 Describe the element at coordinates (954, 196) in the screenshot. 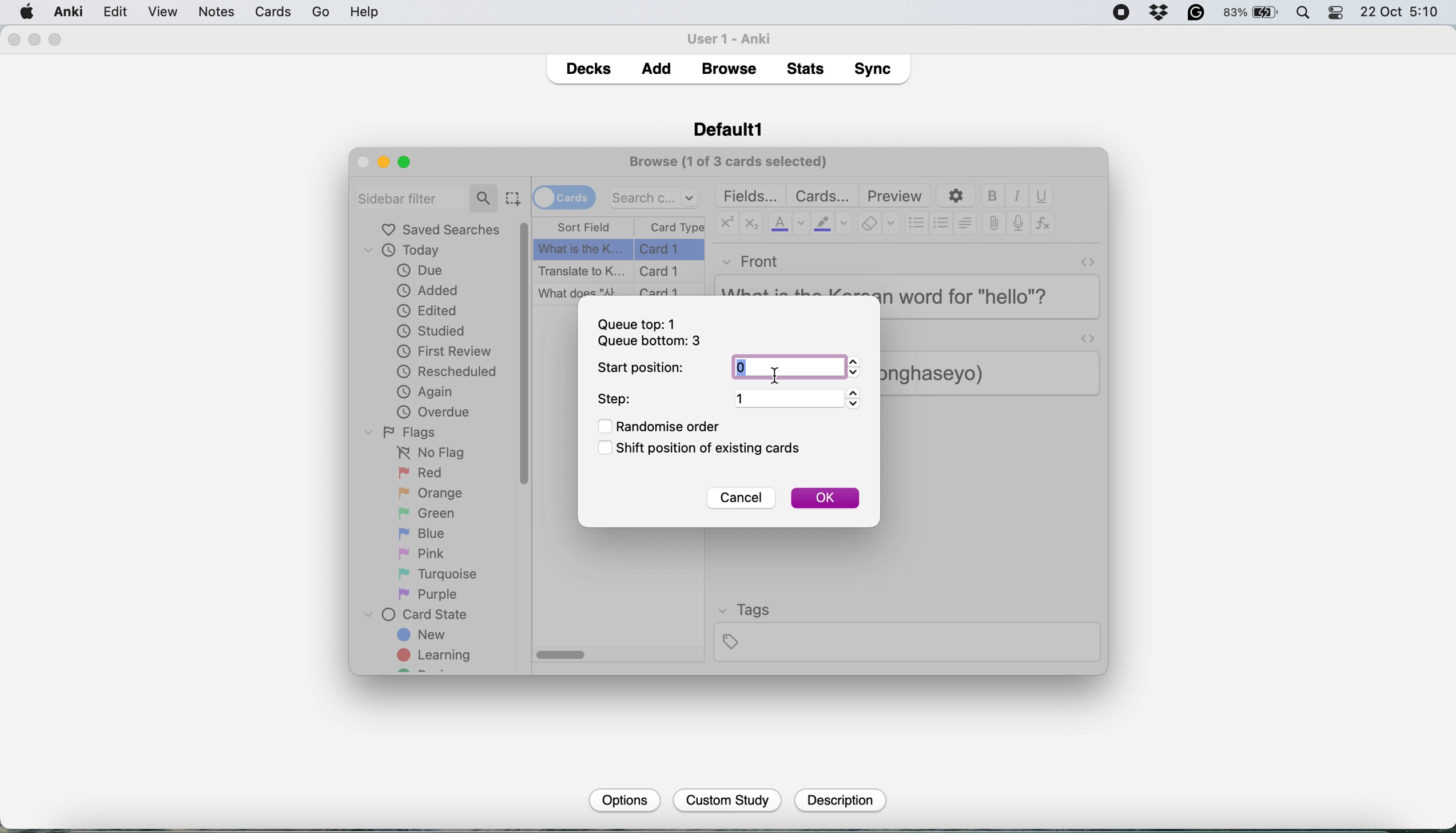

I see `settings` at that location.